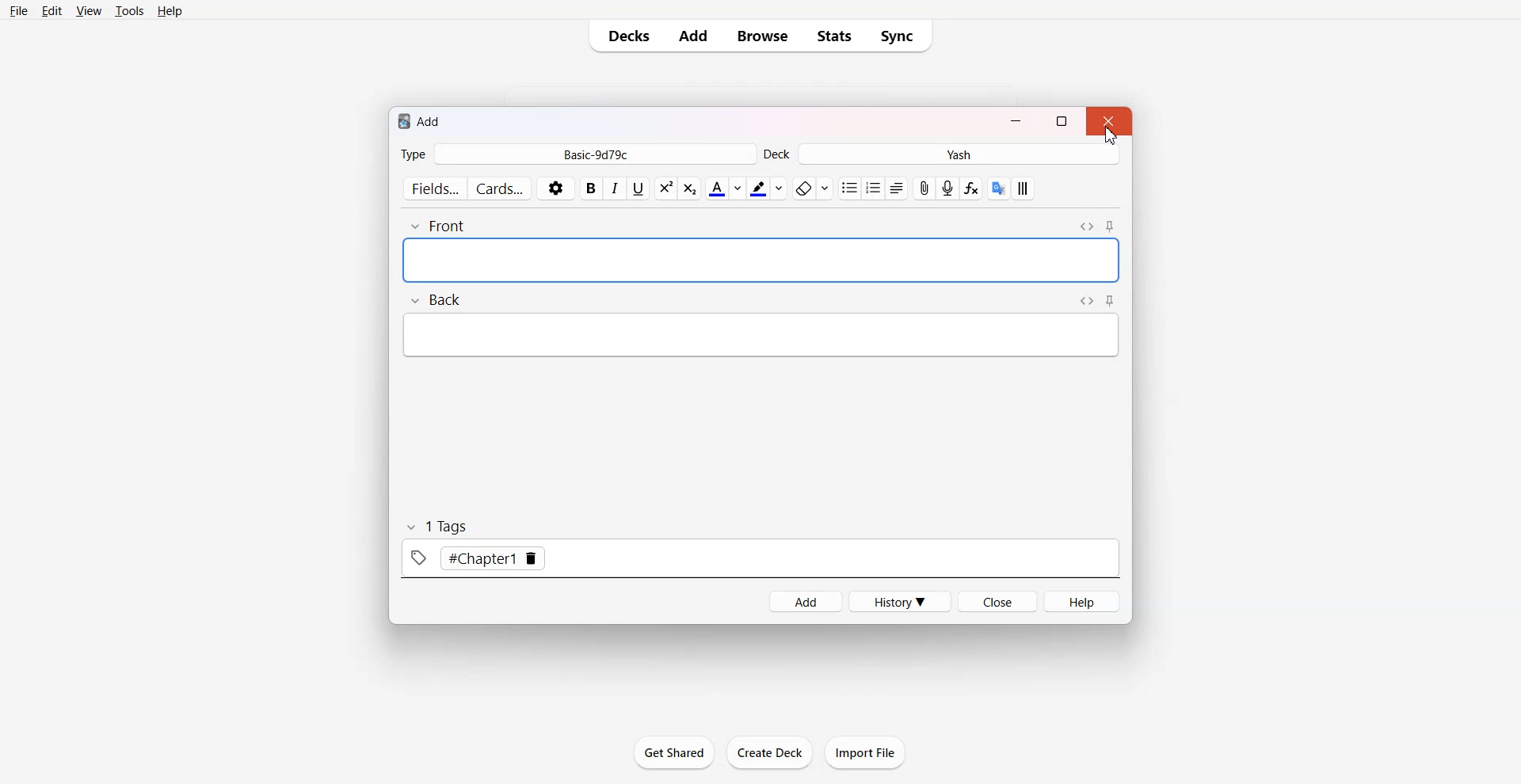 The height and width of the screenshot is (784, 1521). Describe the element at coordinates (972, 188) in the screenshot. I see `Equation` at that location.